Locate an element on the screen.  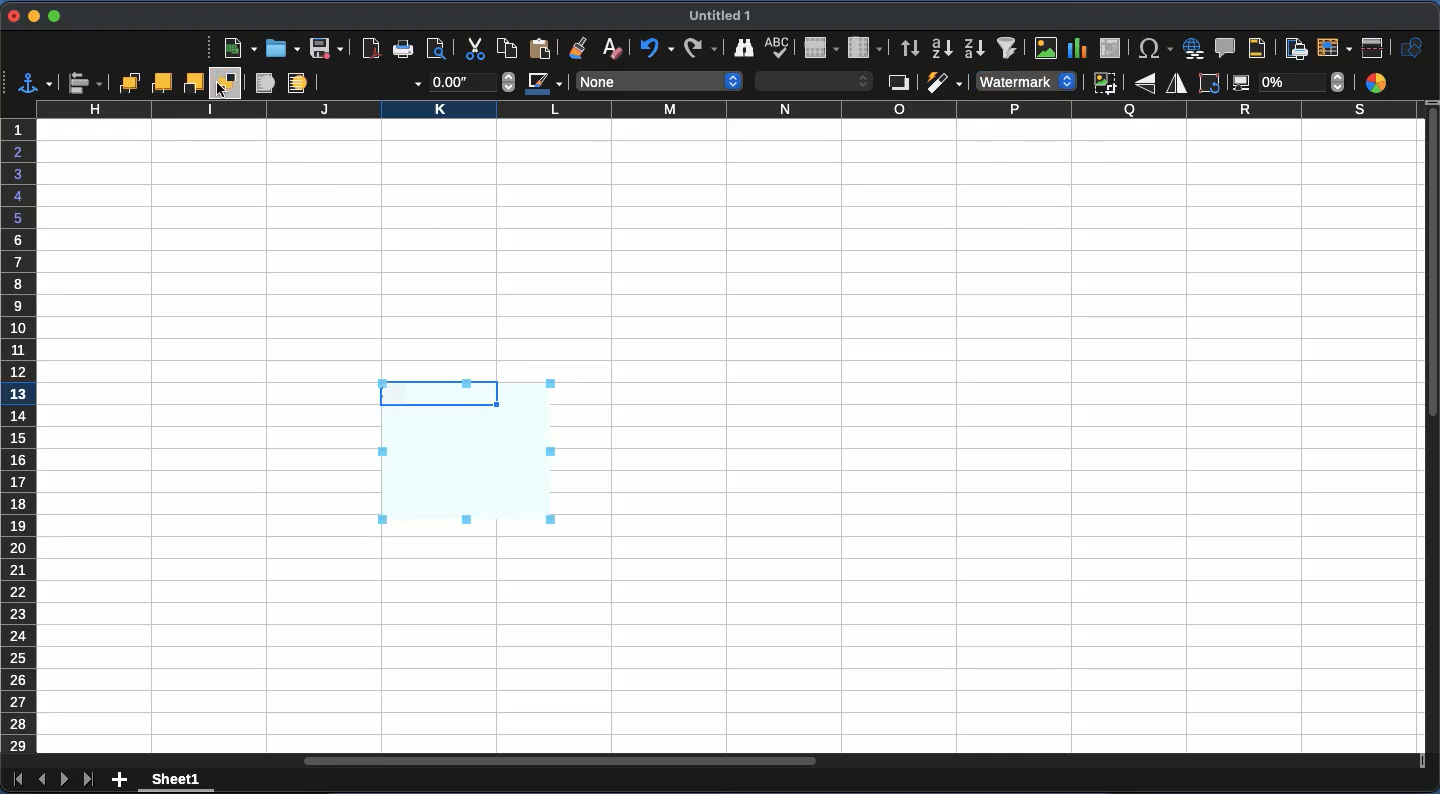
rotate is located at coordinates (1210, 85).